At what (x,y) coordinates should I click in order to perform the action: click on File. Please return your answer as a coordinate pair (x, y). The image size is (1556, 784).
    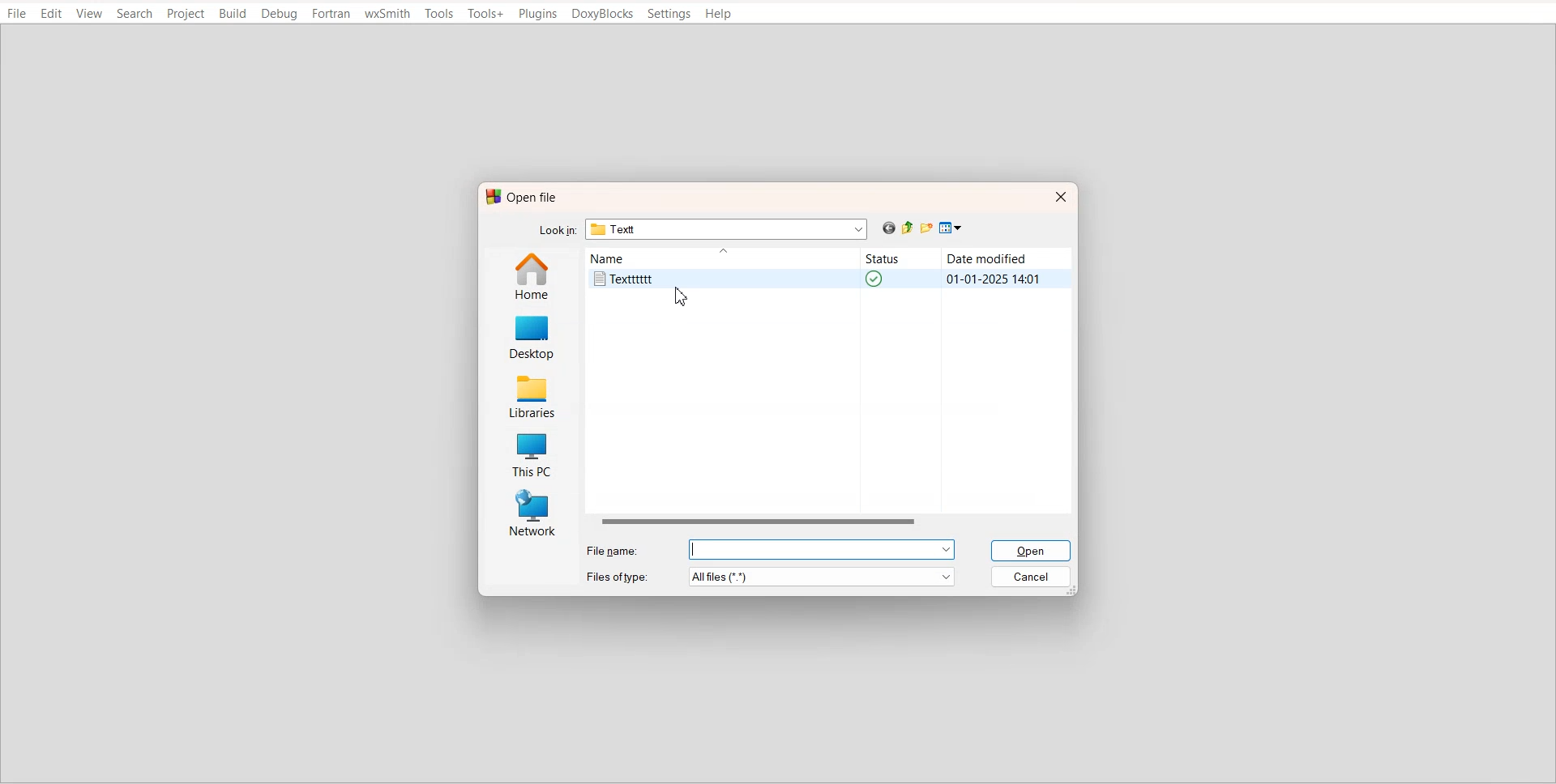
    Looking at the image, I should click on (15, 12).